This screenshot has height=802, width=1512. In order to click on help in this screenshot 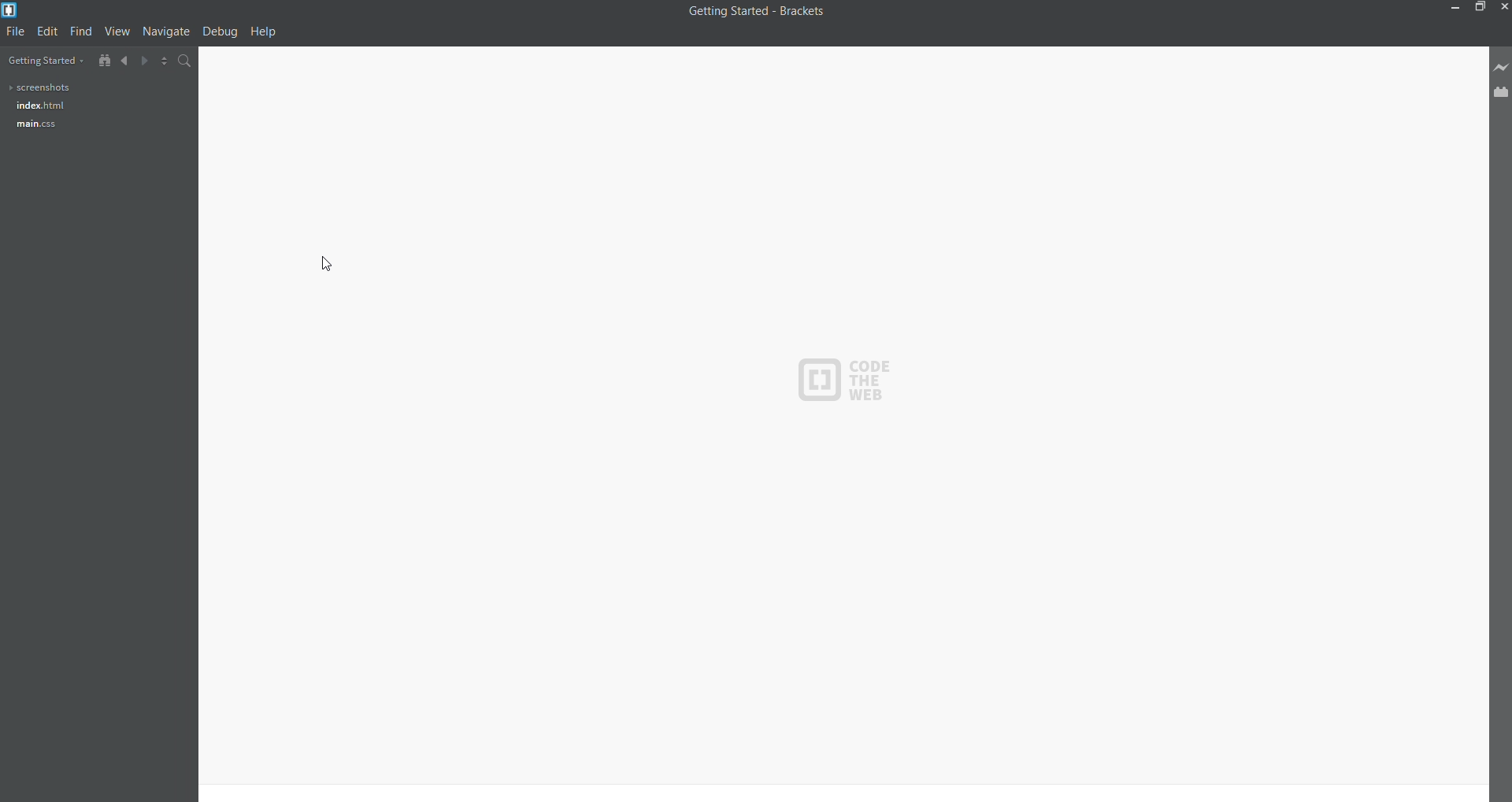, I will do `click(268, 33)`.